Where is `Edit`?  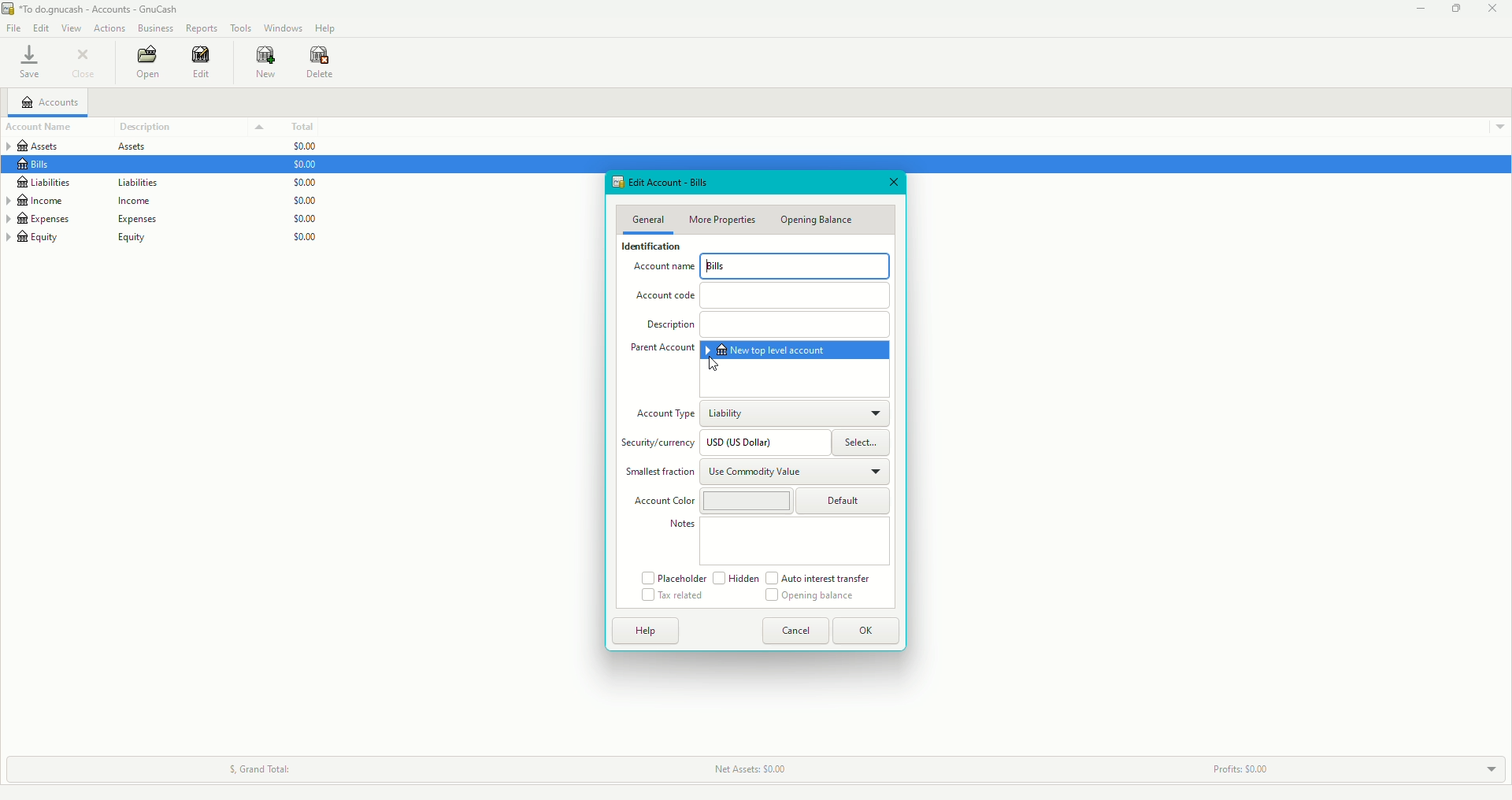
Edit is located at coordinates (205, 64).